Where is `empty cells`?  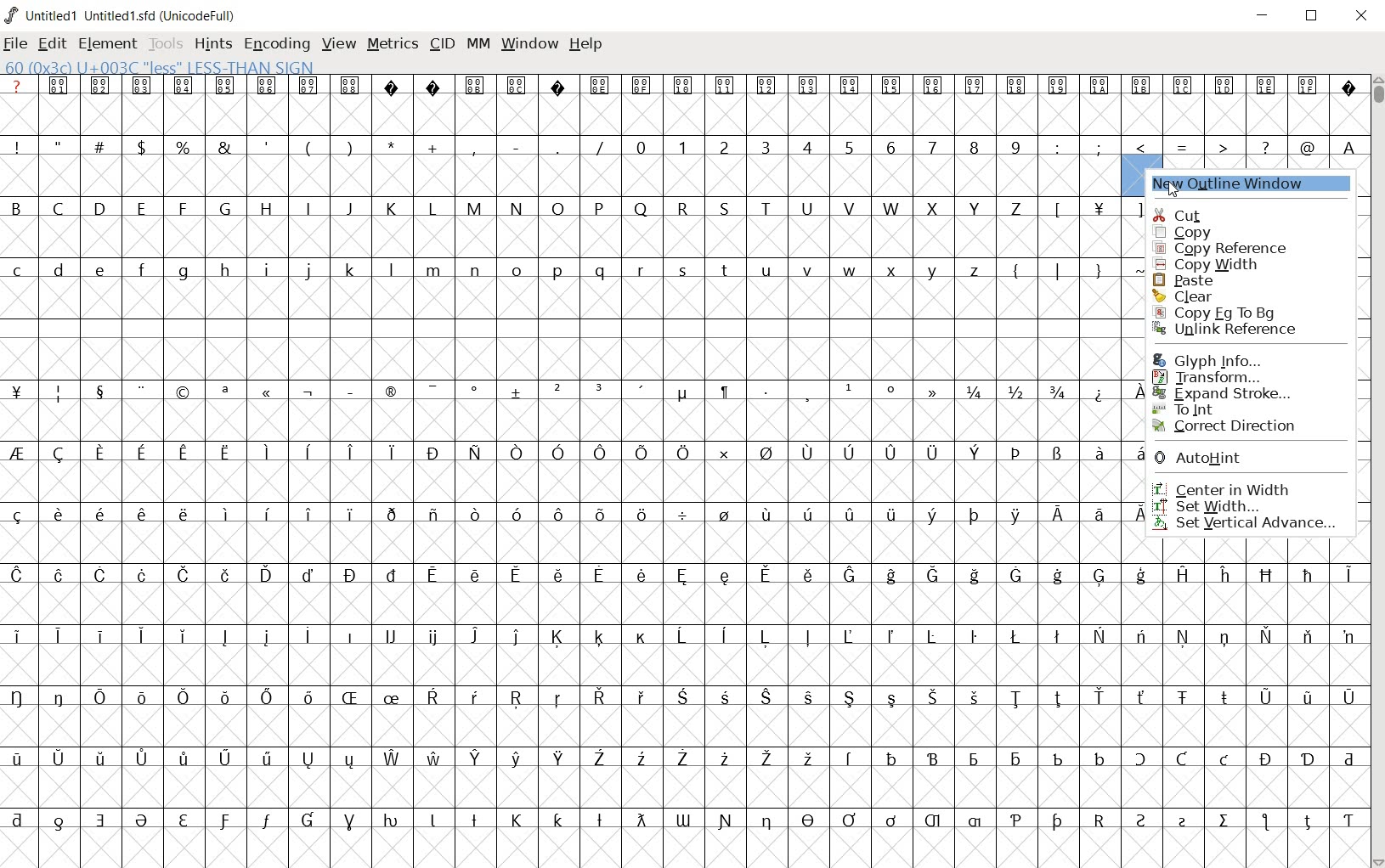
empty cells is located at coordinates (561, 176).